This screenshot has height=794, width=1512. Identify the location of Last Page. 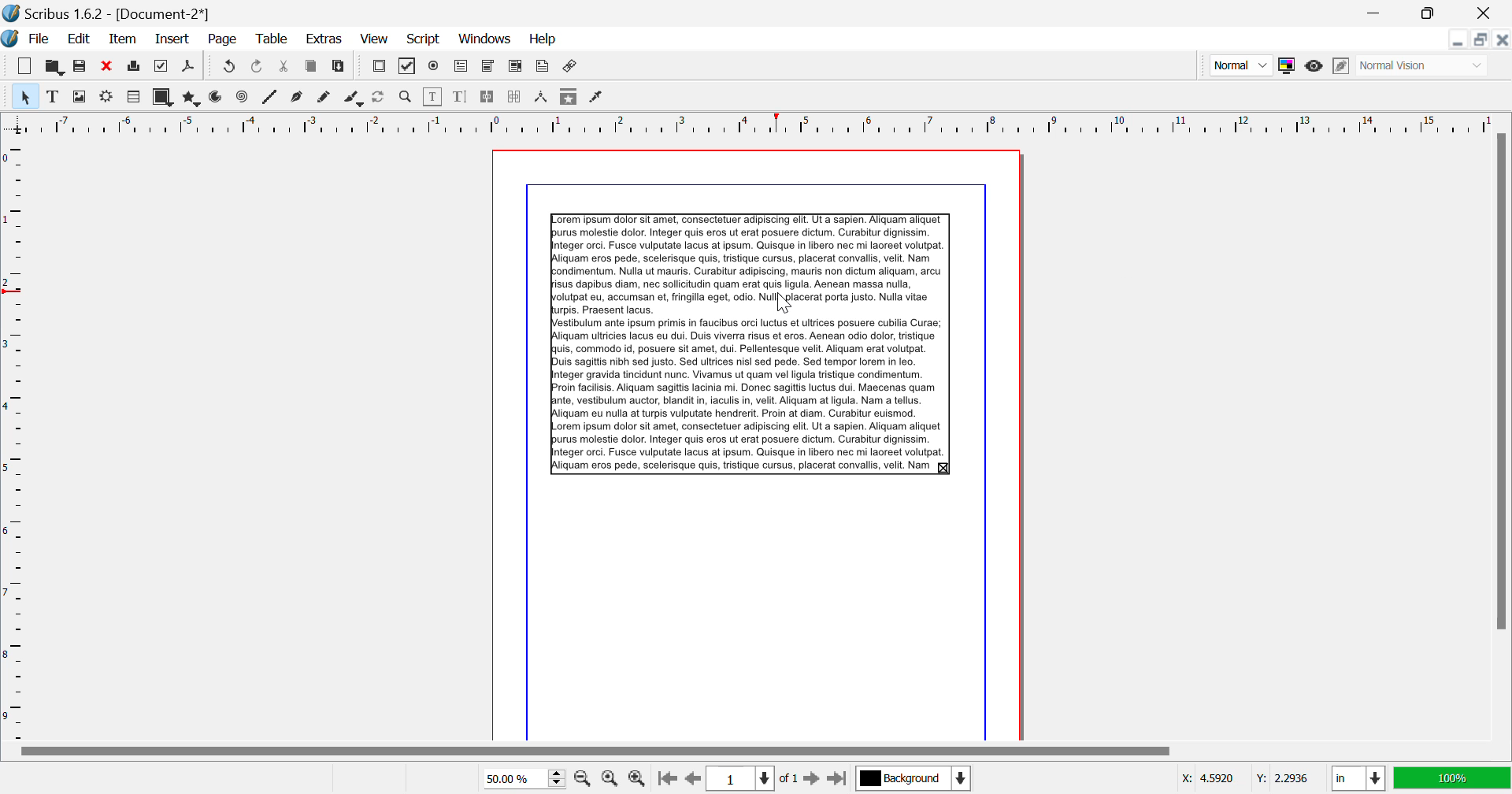
(836, 779).